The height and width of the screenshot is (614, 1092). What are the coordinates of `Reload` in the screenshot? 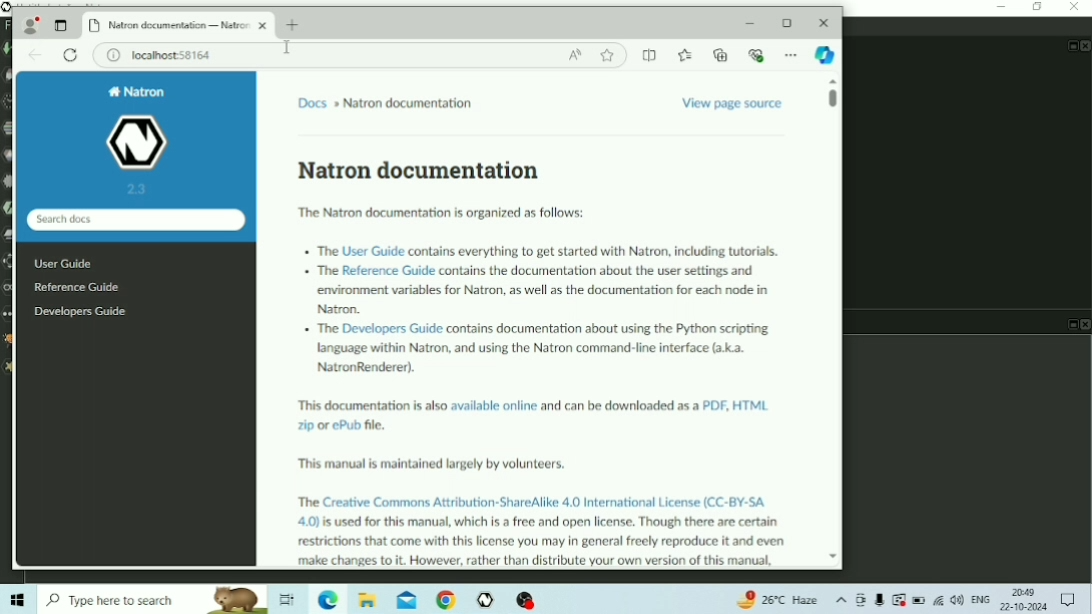 It's located at (71, 56).